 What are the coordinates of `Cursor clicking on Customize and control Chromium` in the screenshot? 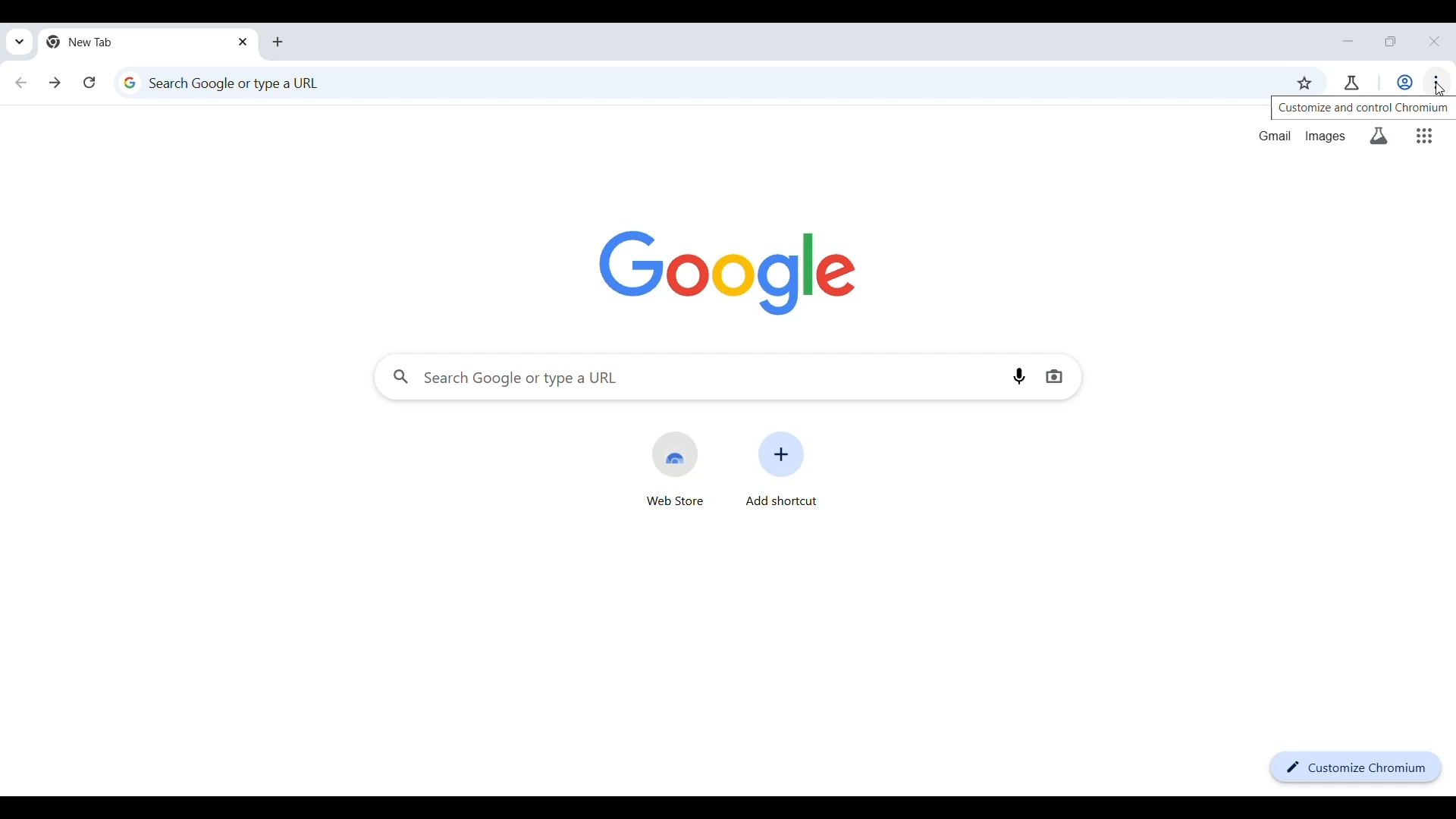 It's located at (1442, 88).